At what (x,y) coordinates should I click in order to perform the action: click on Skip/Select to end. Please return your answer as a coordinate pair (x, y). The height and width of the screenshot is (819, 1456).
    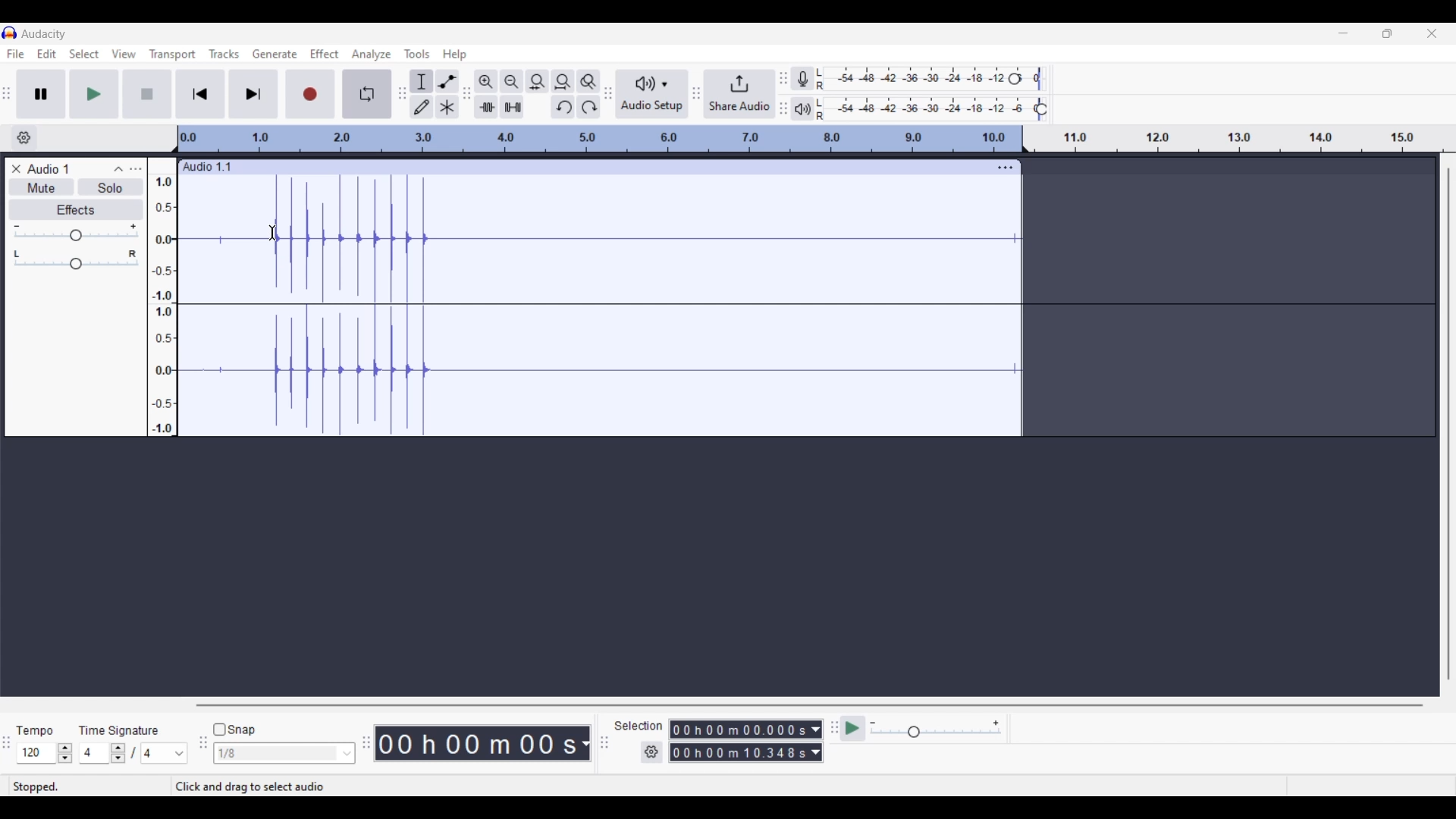
    Looking at the image, I should click on (253, 93).